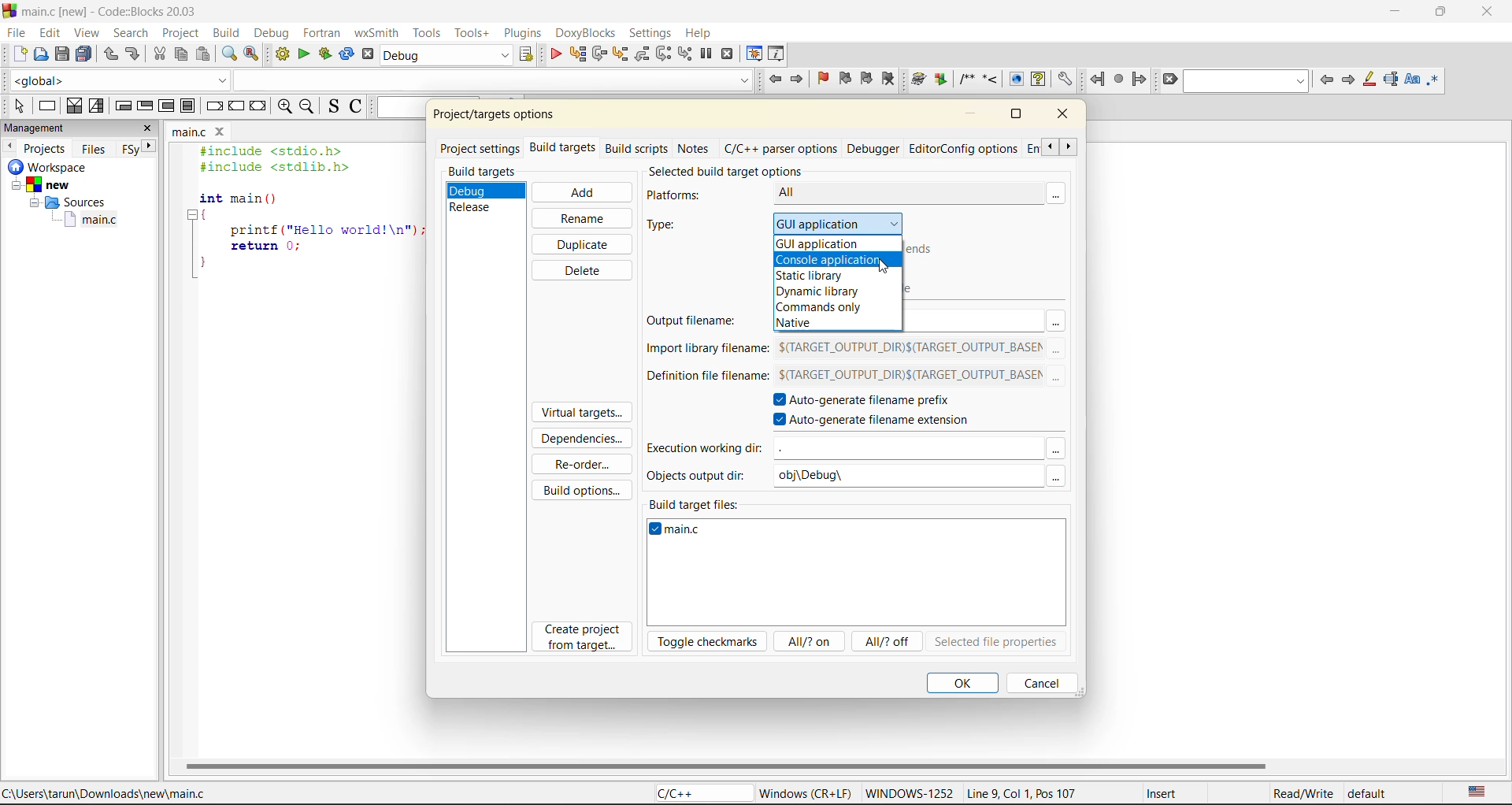 Image resolution: width=1512 pixels, height=805 pixels. What do you see at coordinates (65, 204) in the screenshot?
I see `Sources` at bounding box center [65, 204].